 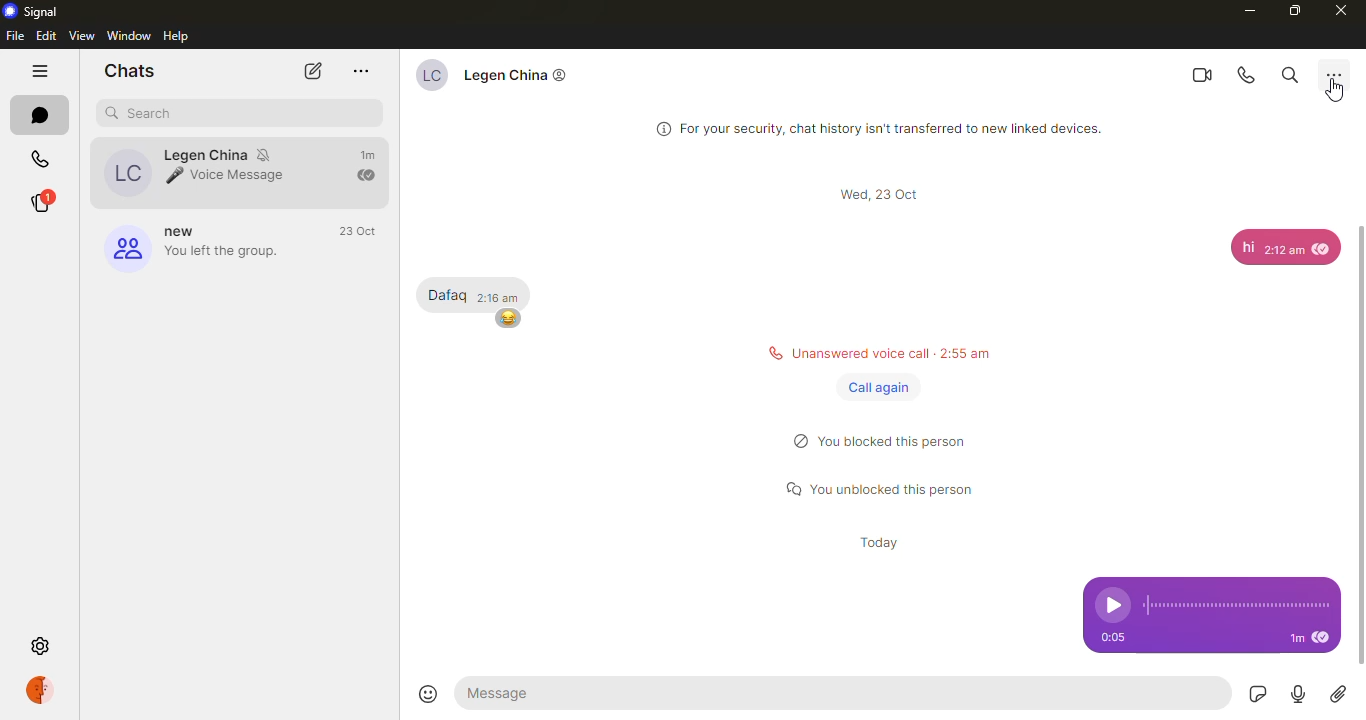 What do you see at coordinates (30, 11) in the screenshot?
I see `signal` at bounding box center [30, 11].